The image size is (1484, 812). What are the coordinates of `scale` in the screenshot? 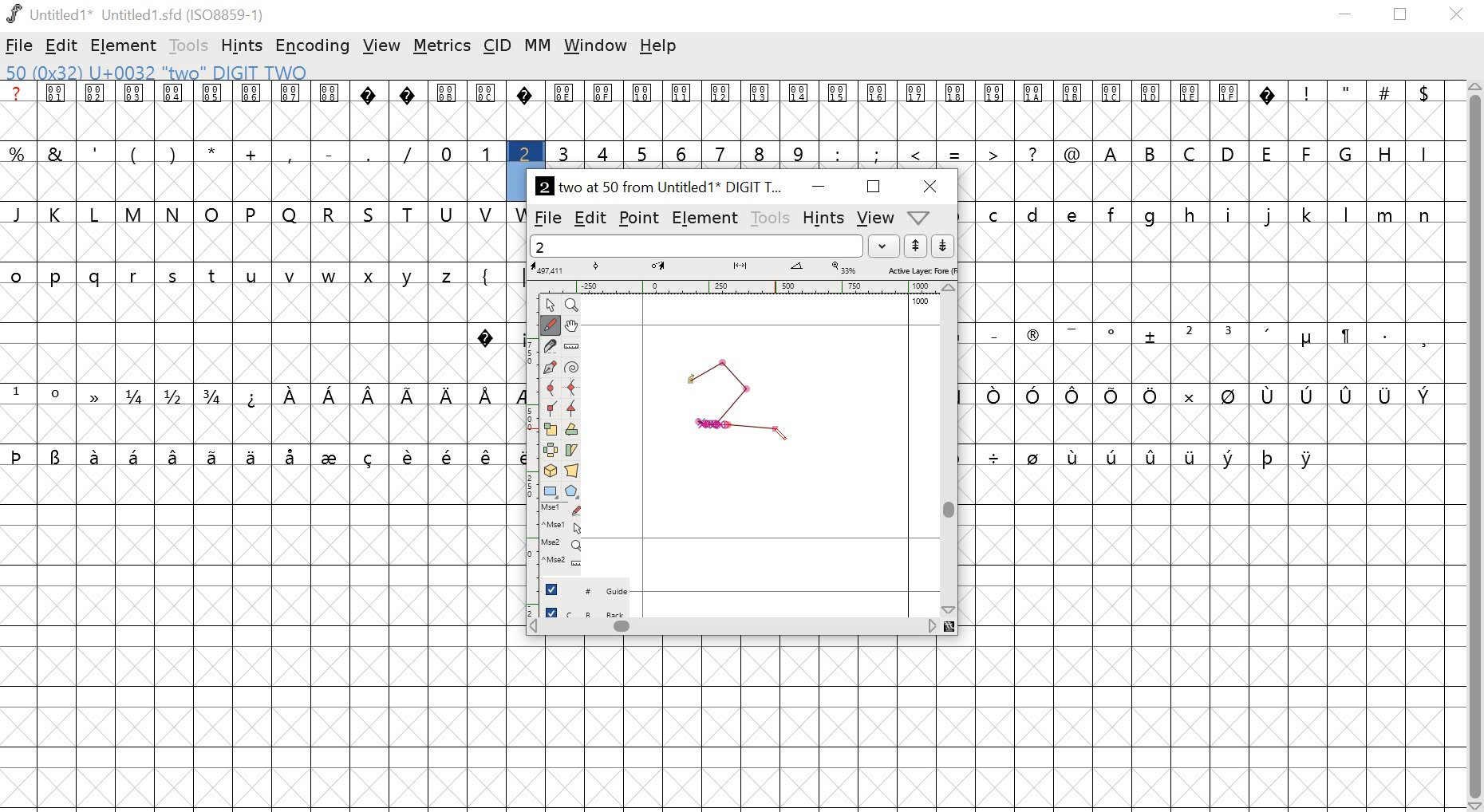 It's located at (552, 430).